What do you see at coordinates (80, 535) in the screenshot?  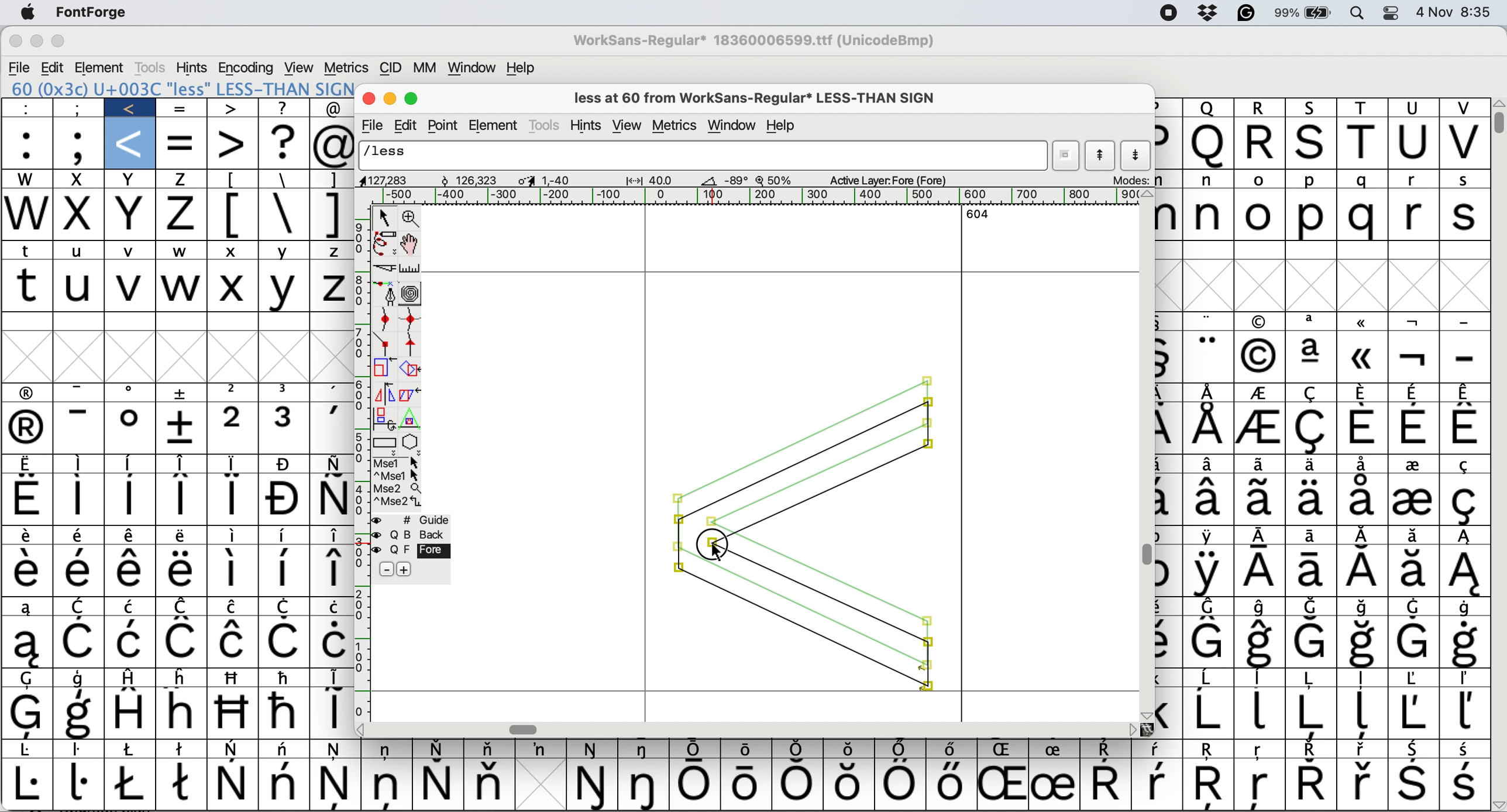 I see `Symbol` at bounding box center [80, 535].